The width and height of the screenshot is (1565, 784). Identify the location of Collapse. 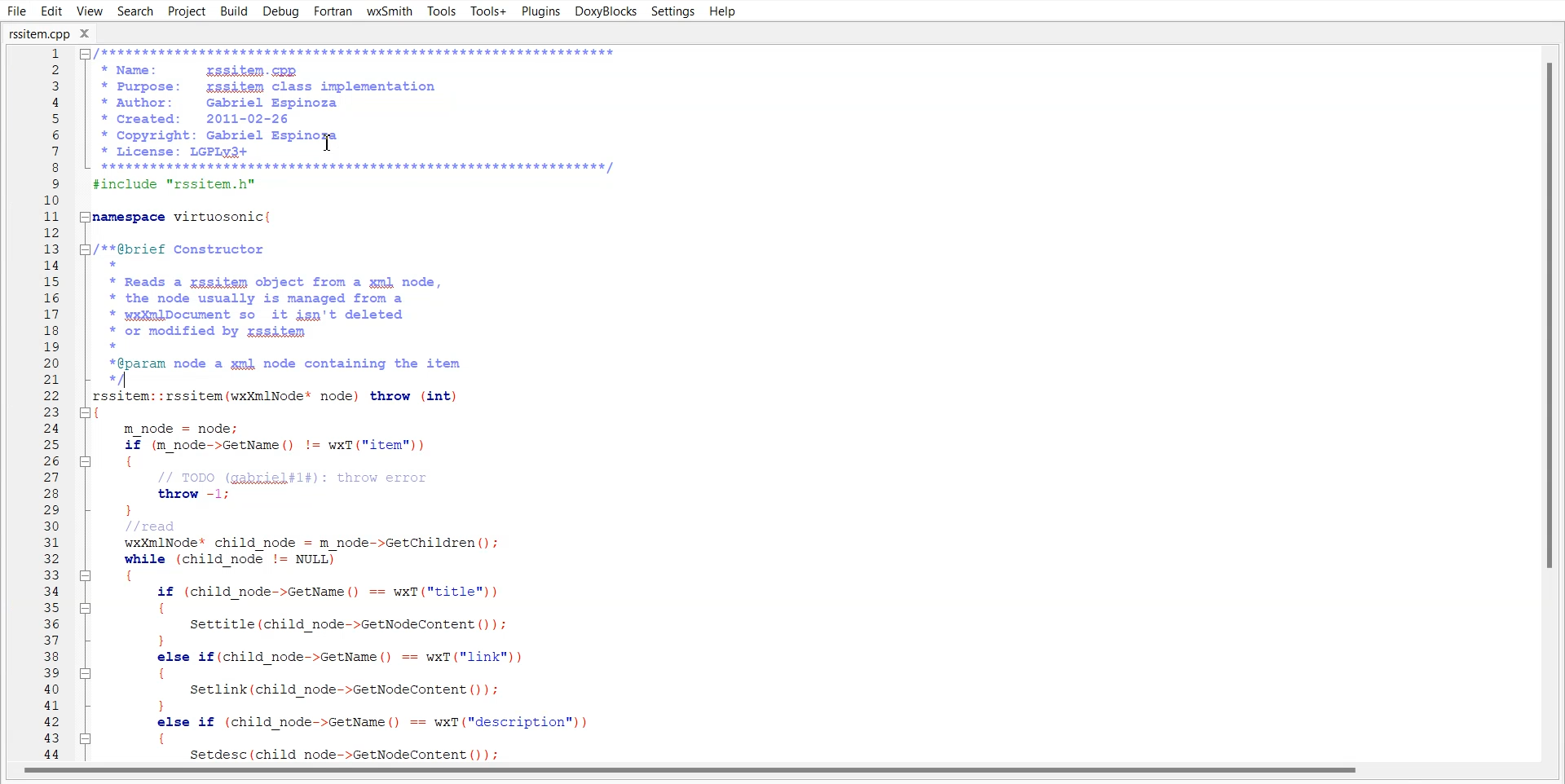
(86, 217).